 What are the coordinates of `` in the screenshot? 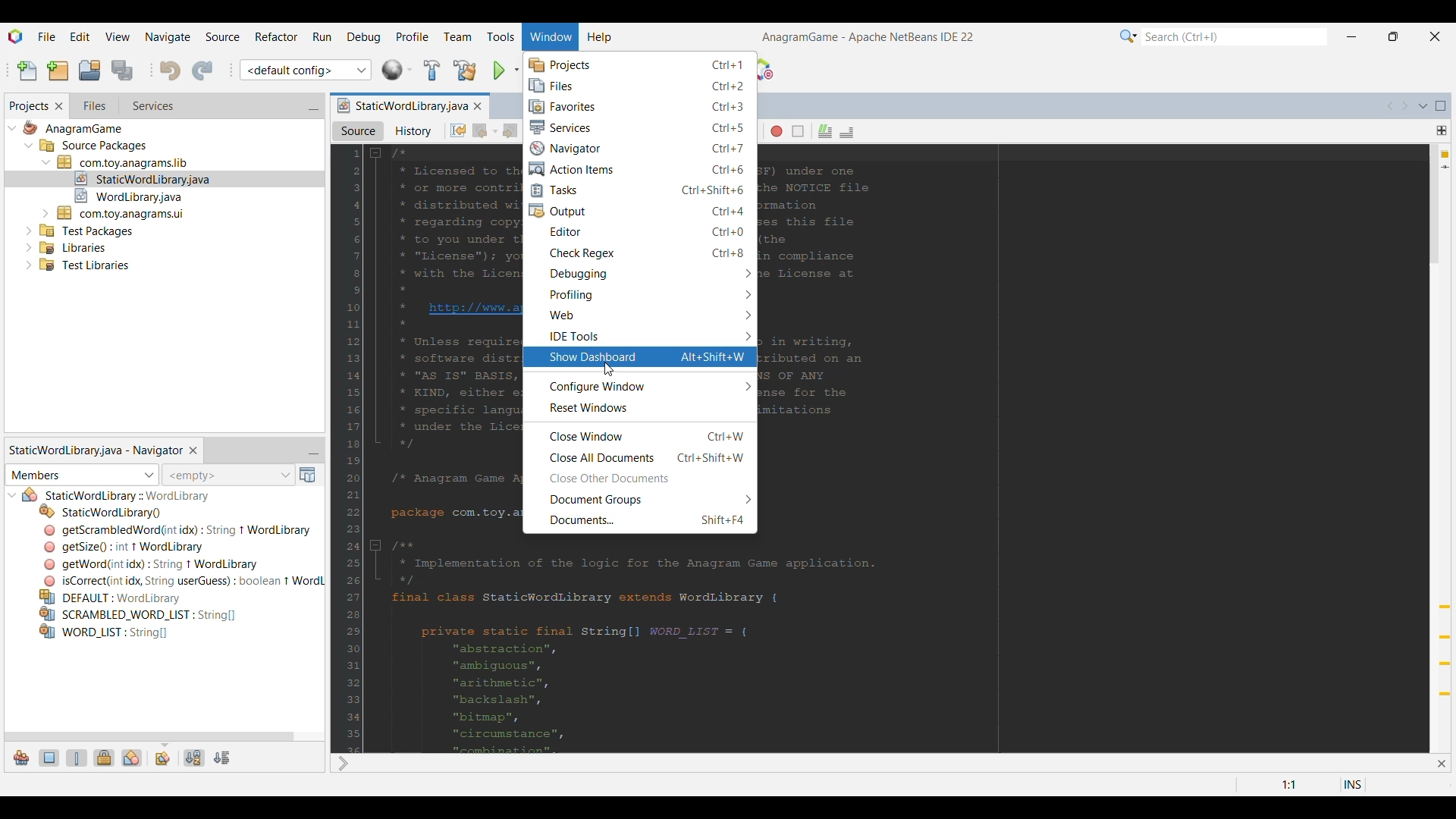 It's located at (94, 147).